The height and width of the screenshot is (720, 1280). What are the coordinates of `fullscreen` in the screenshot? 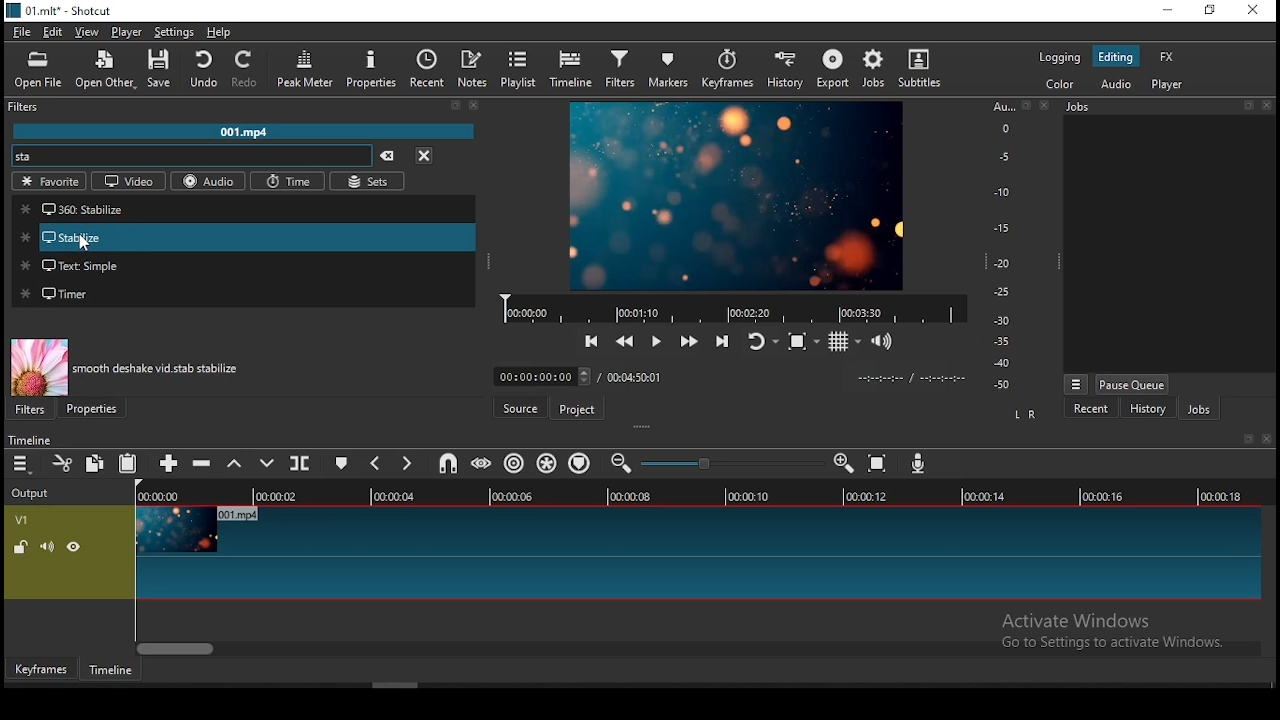 It's located at (1246, 438).